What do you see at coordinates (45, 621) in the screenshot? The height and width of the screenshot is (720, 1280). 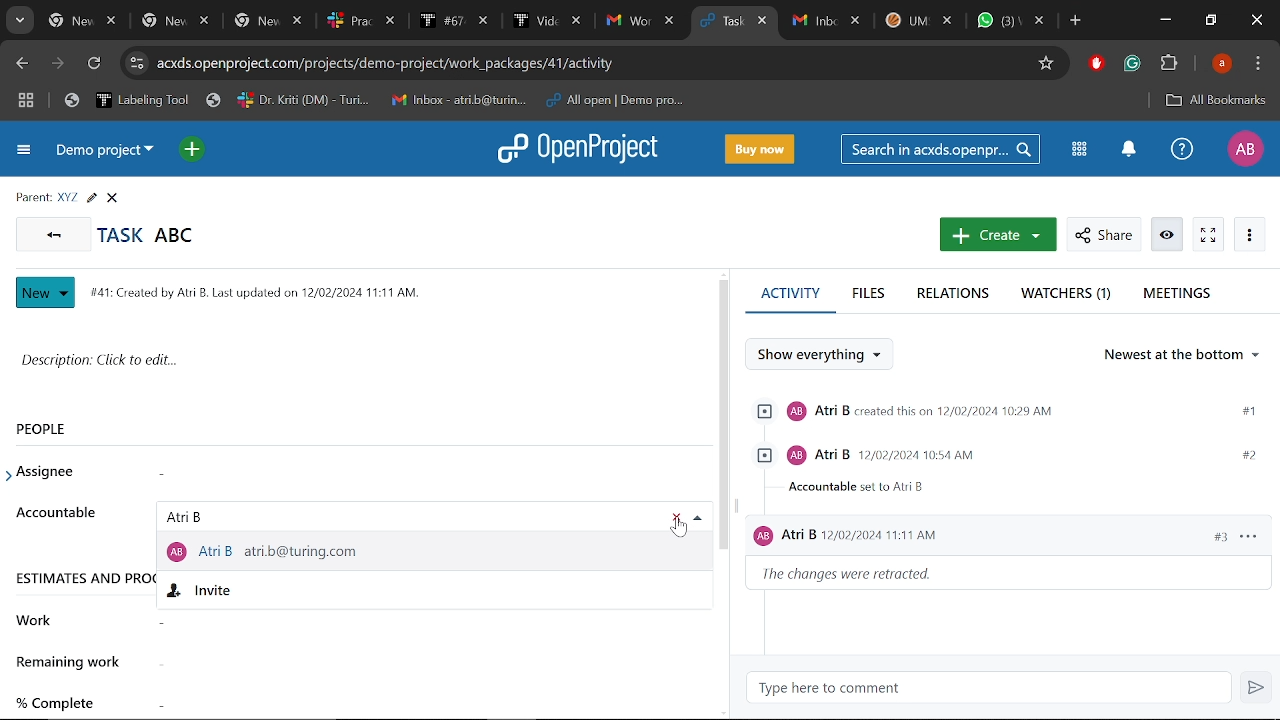 I see `work` at bounding box center [45, 621].